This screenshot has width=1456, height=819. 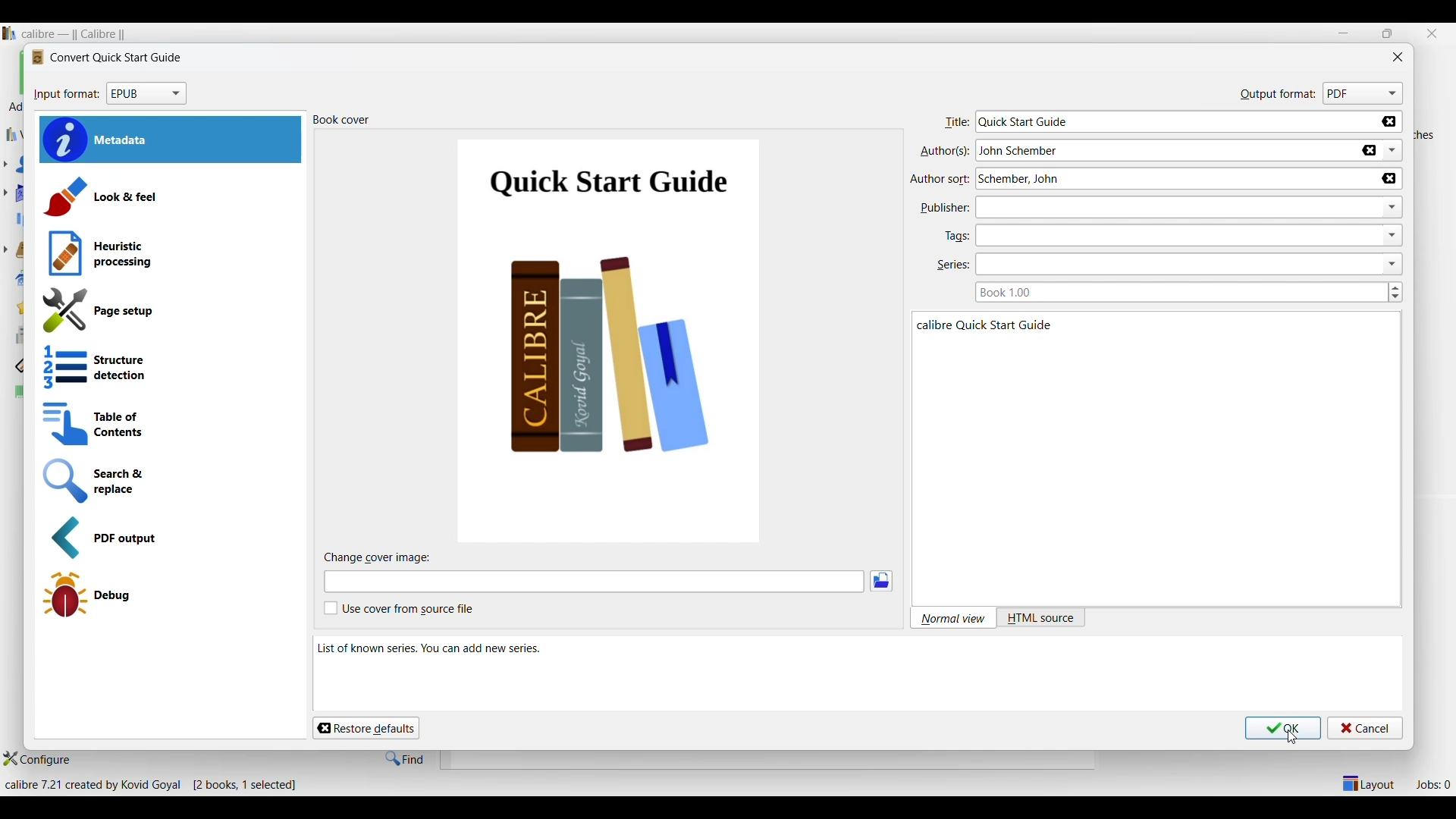 What do you see at coordinates (399, 608) in the screenshot?
I see `Toggle for cover from source file` at bounding box center [399, 608].